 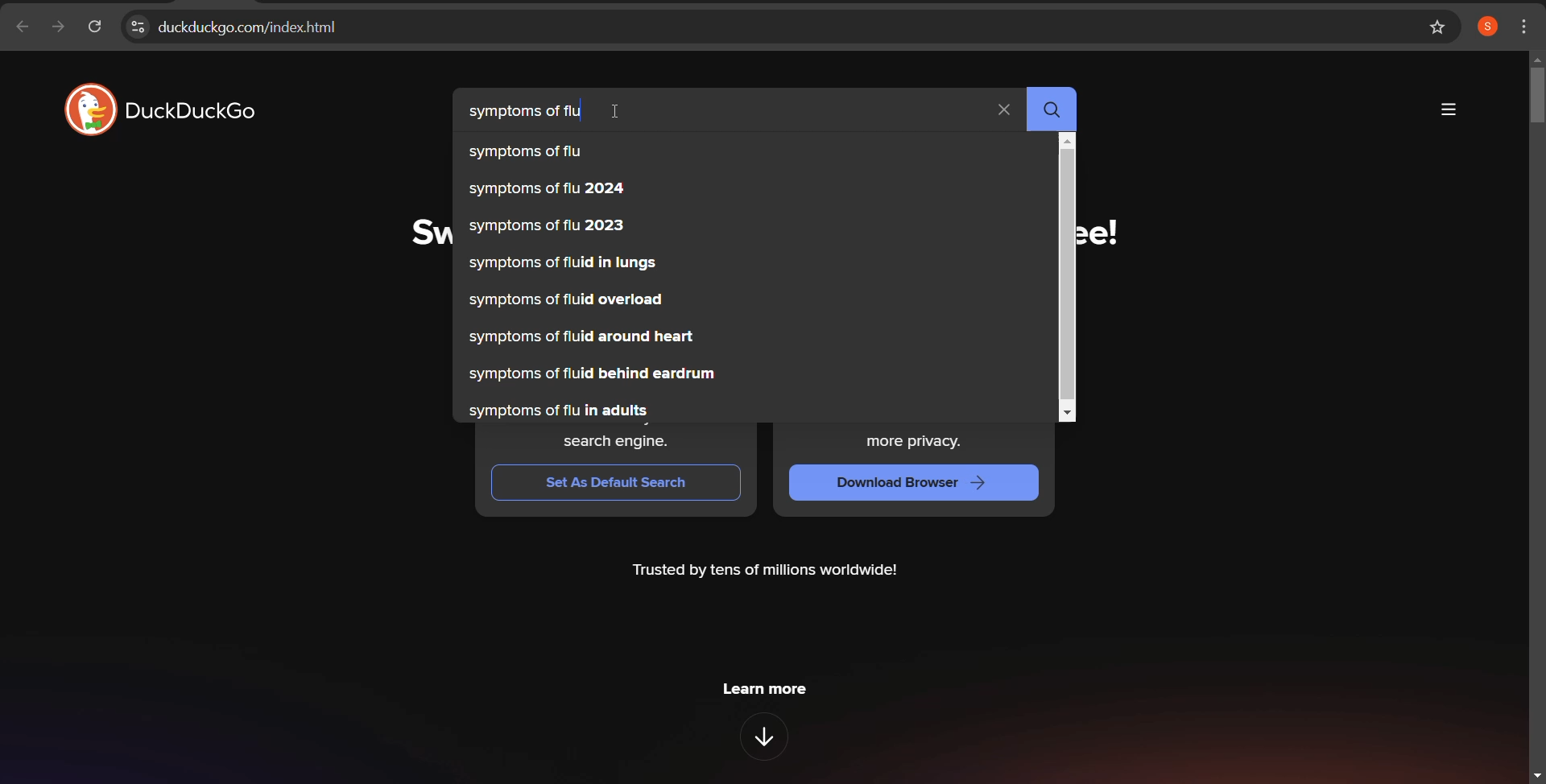 I want to click on set as default search, so click(x=614, y=481).